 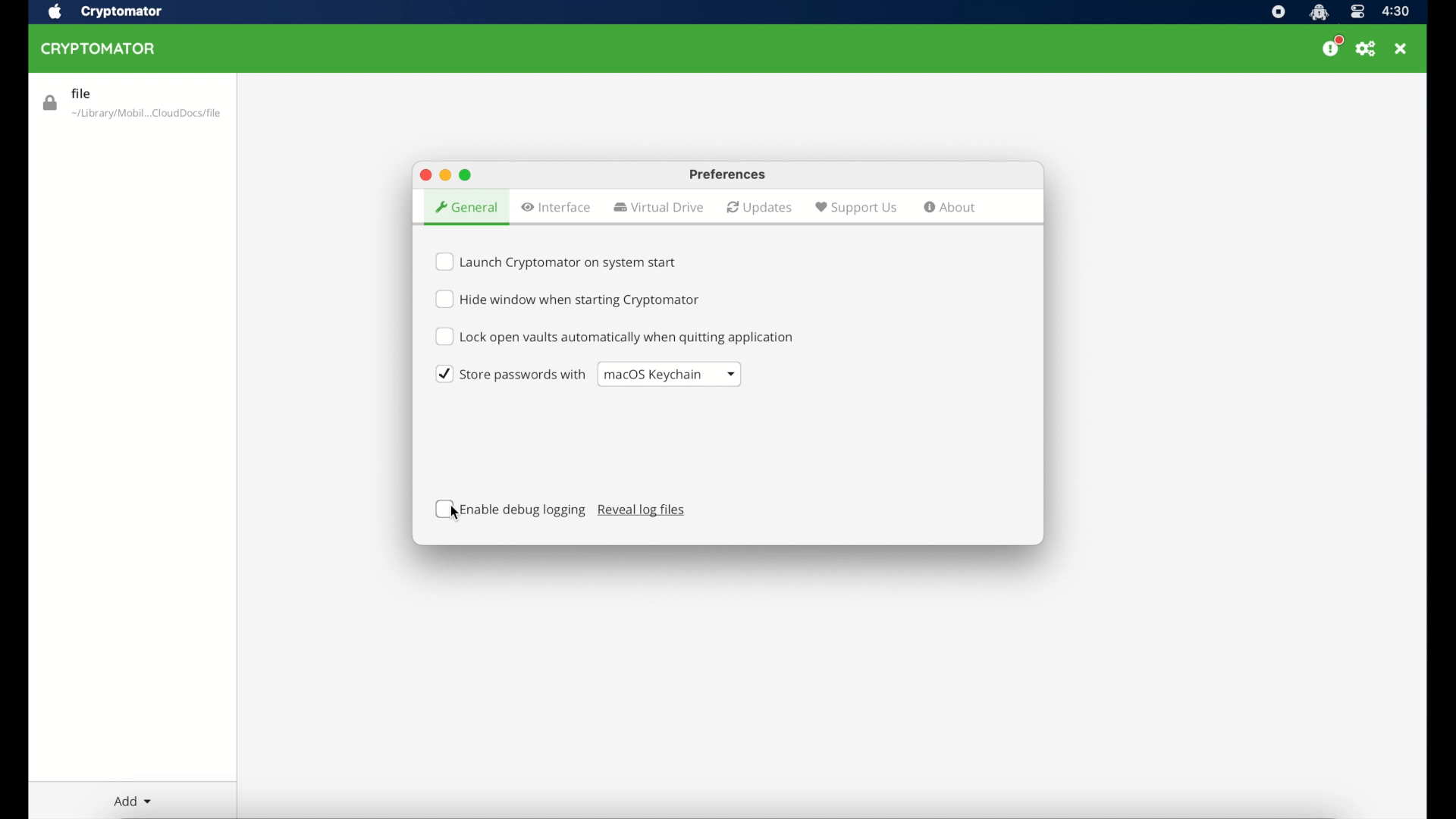 What do you see at coordinates (574, 301) in the screenshot?
I see `Hide window when starting Cryptomator` at bounding box center [574, 301].